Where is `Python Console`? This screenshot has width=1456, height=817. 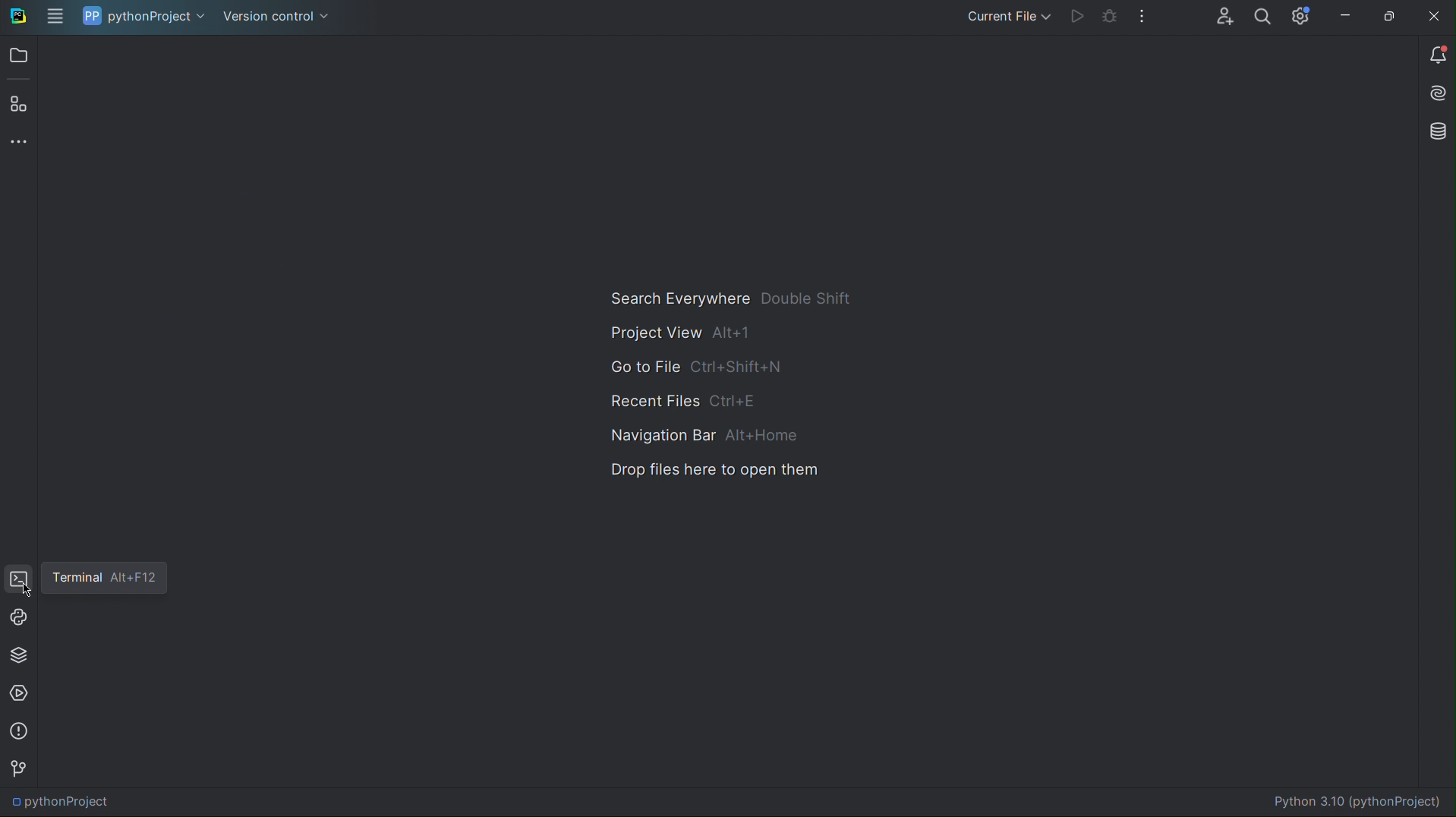
Python Console is located at coordinates (19, 618).